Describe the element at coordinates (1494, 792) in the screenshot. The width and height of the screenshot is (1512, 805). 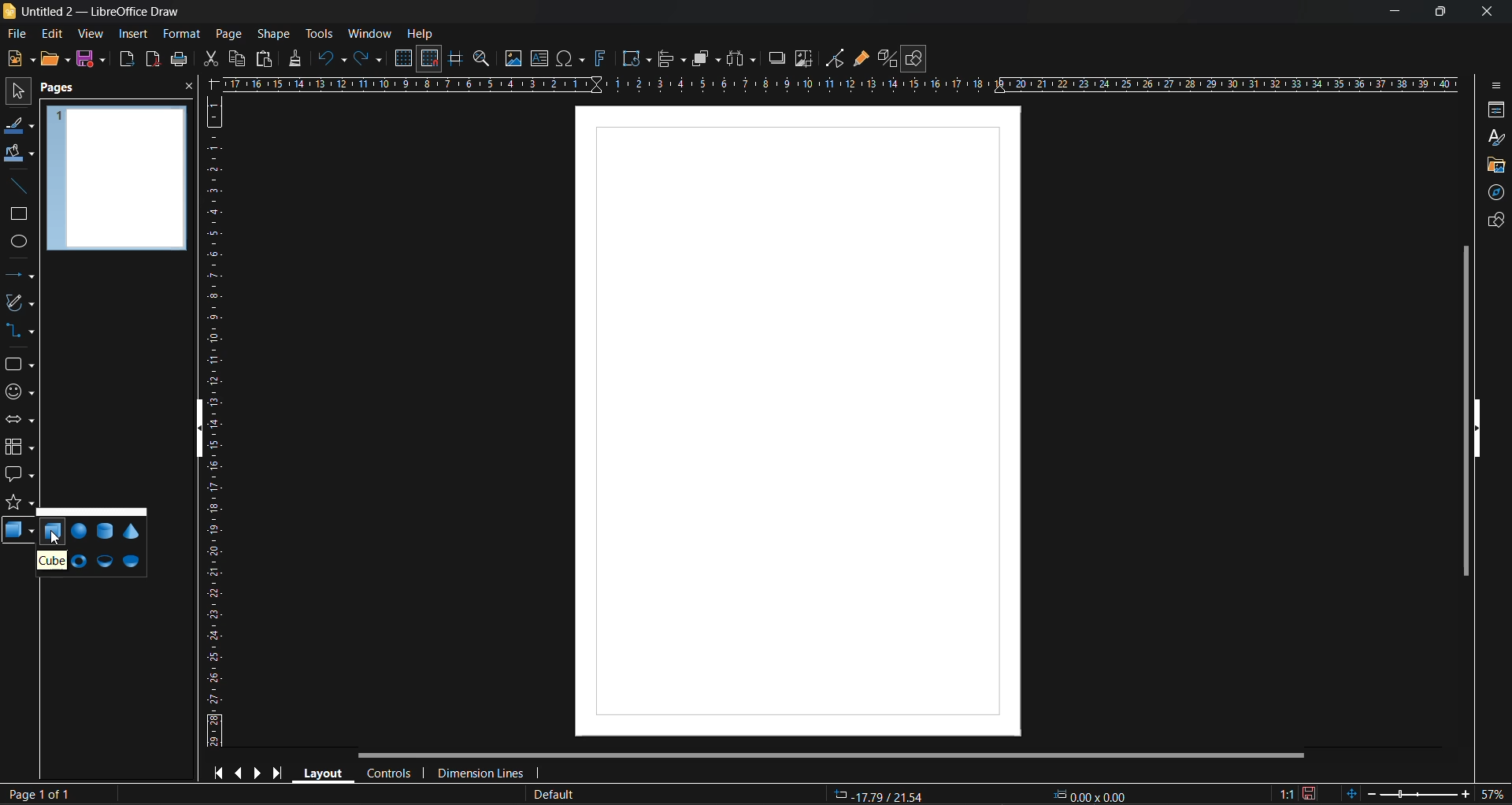
I see `zoom factor` at that location.